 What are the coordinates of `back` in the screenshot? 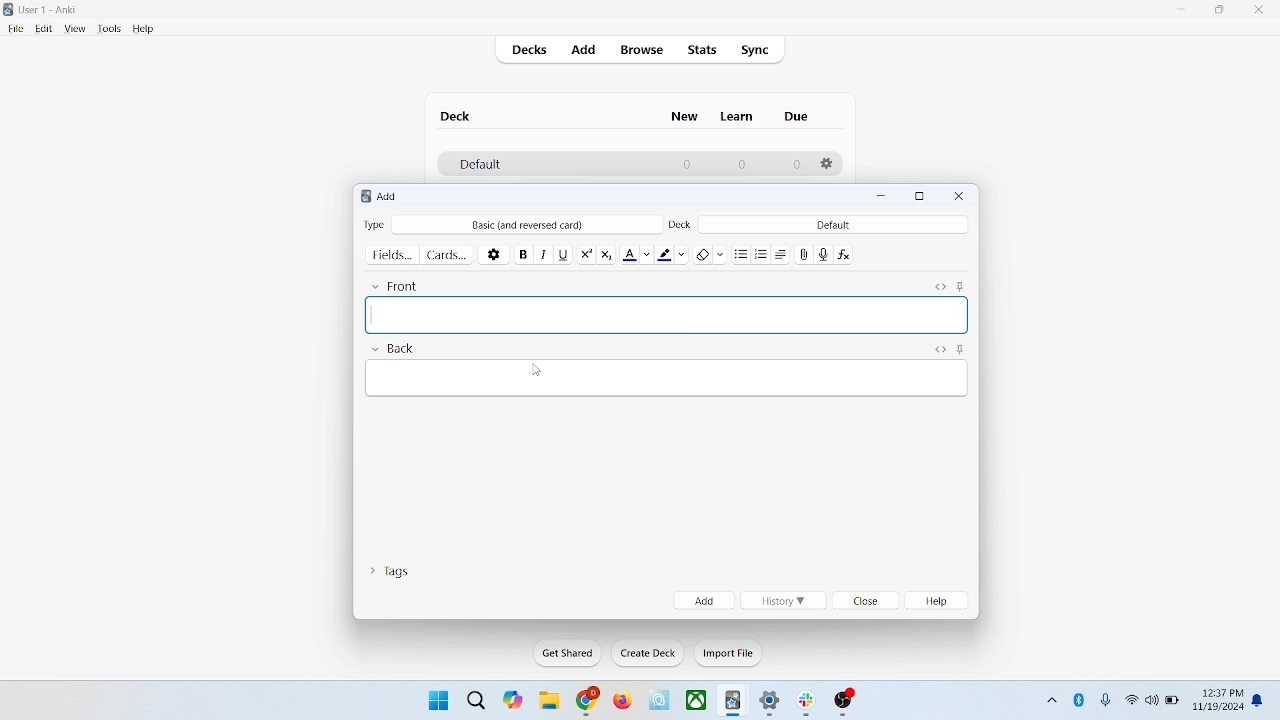 It's located at (392, 349).